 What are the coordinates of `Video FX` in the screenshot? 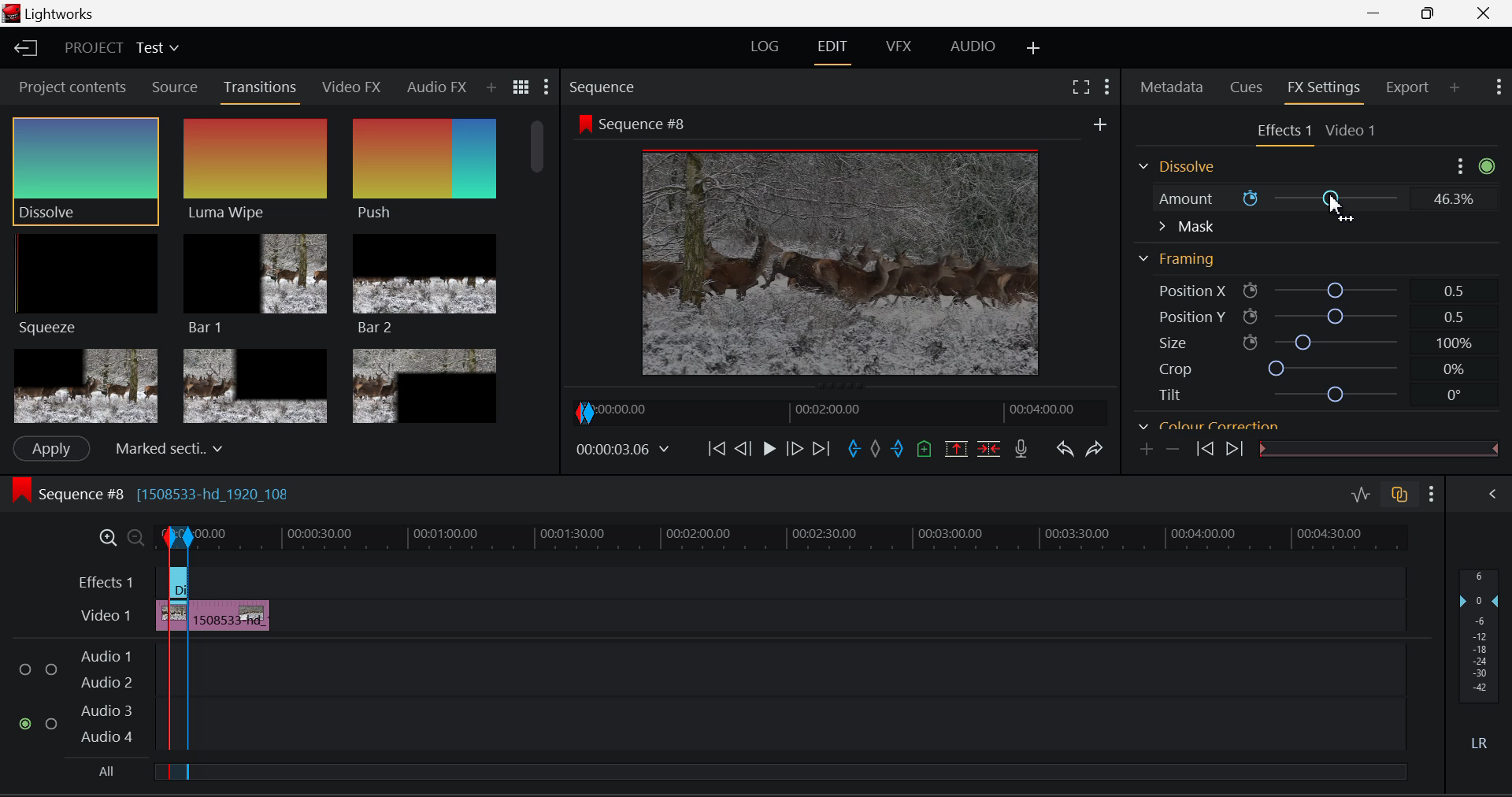 It's located at (353, 89).